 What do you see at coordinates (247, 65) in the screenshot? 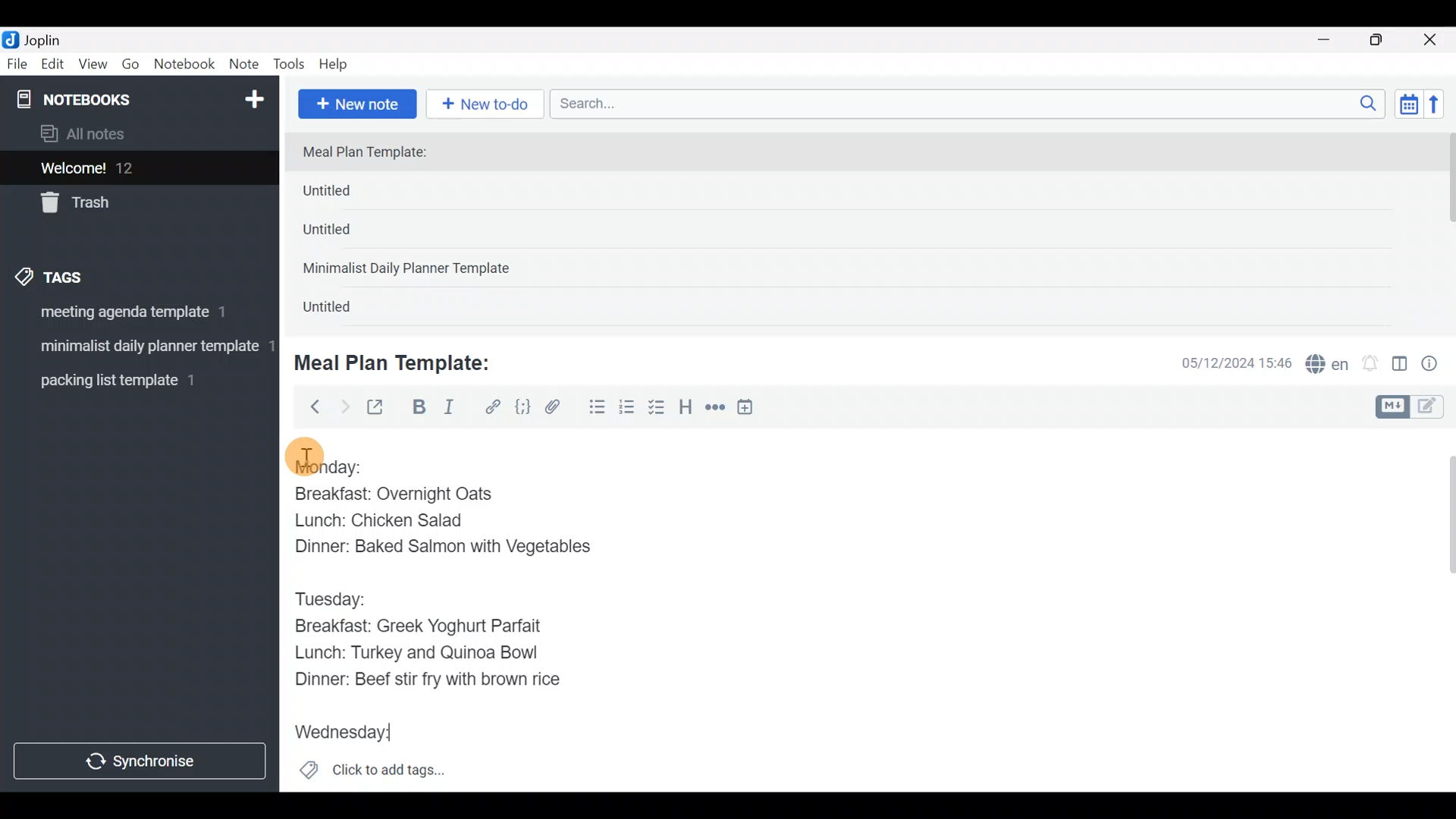
I see `Note` at bounding box center [247, 65].